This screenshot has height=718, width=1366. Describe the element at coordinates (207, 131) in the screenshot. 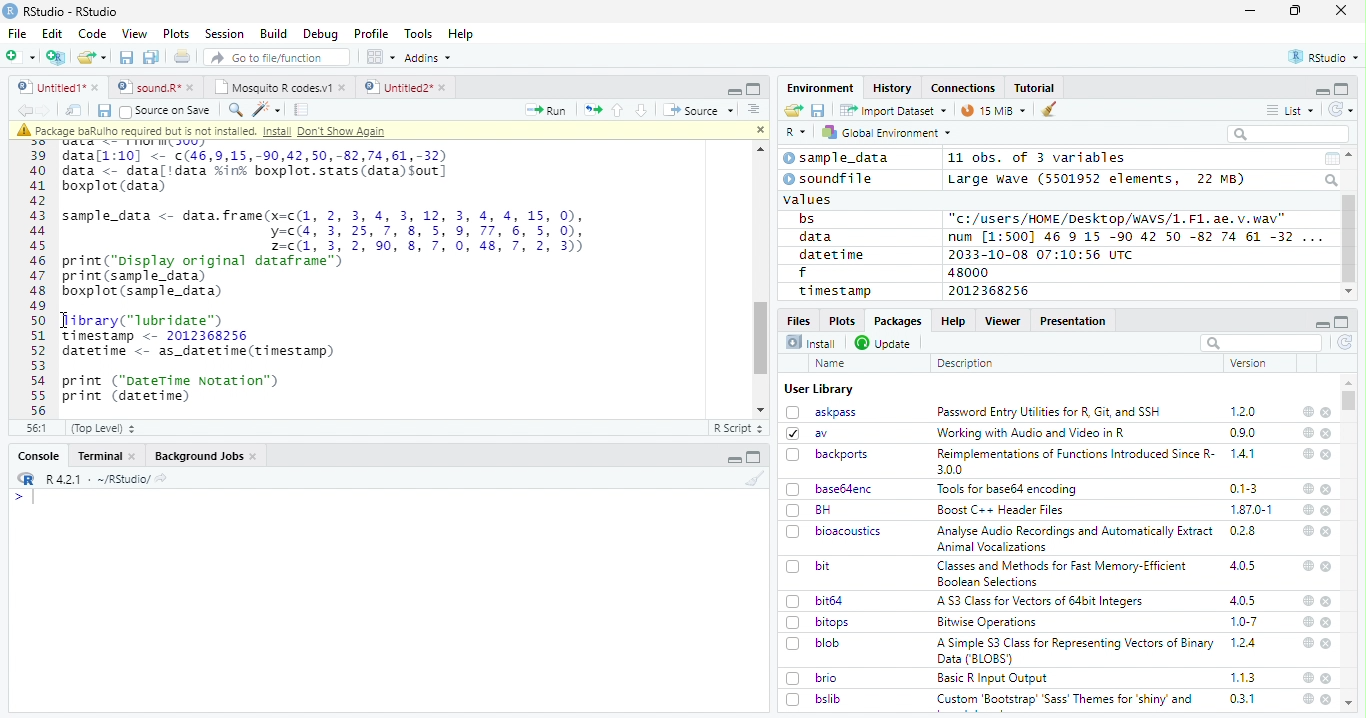

I see `package baRulho required but is not installed. Intall Don't show again.` at that location.